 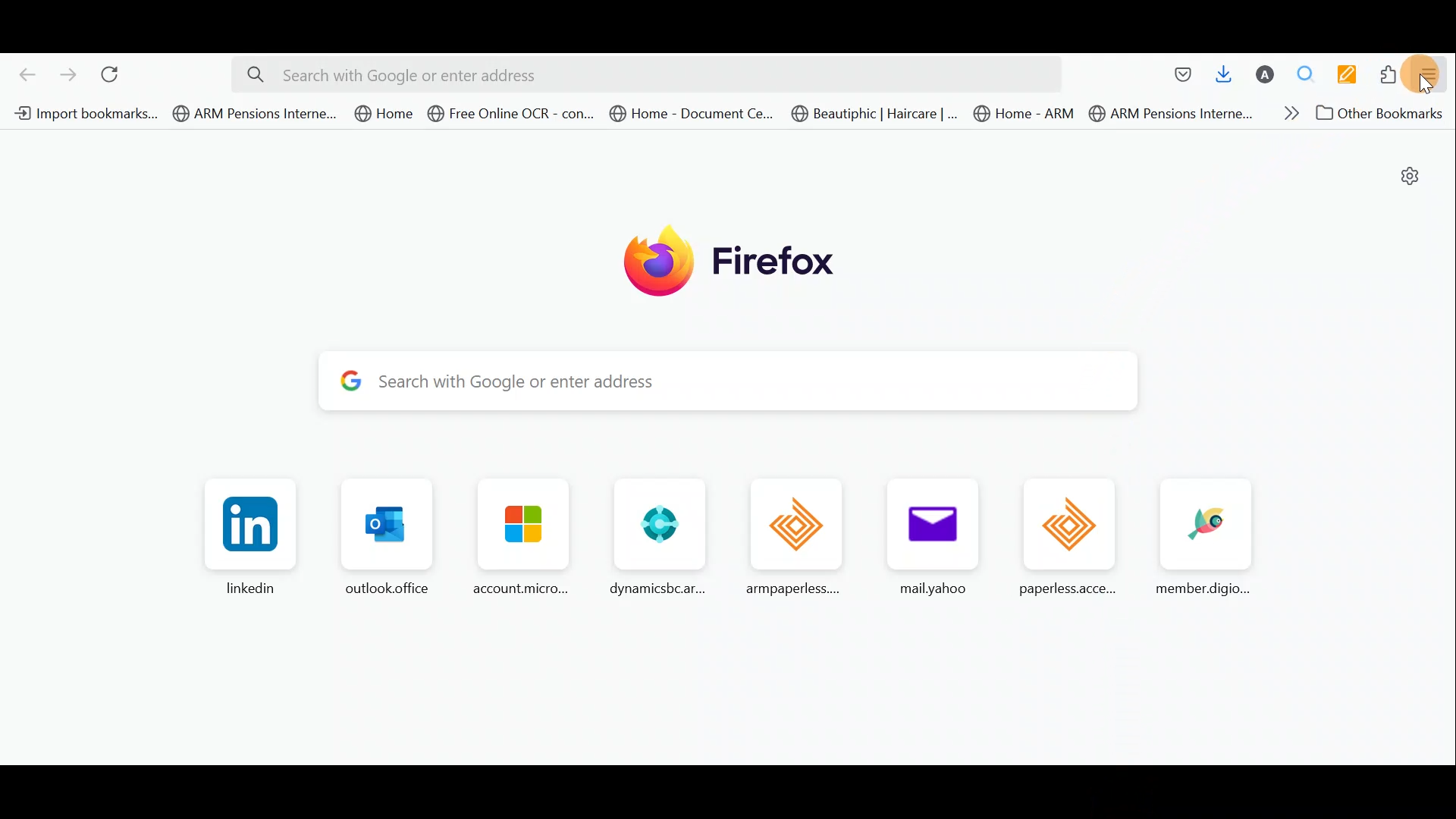 I want to click on  outlook office, so click(x=381, y=540).